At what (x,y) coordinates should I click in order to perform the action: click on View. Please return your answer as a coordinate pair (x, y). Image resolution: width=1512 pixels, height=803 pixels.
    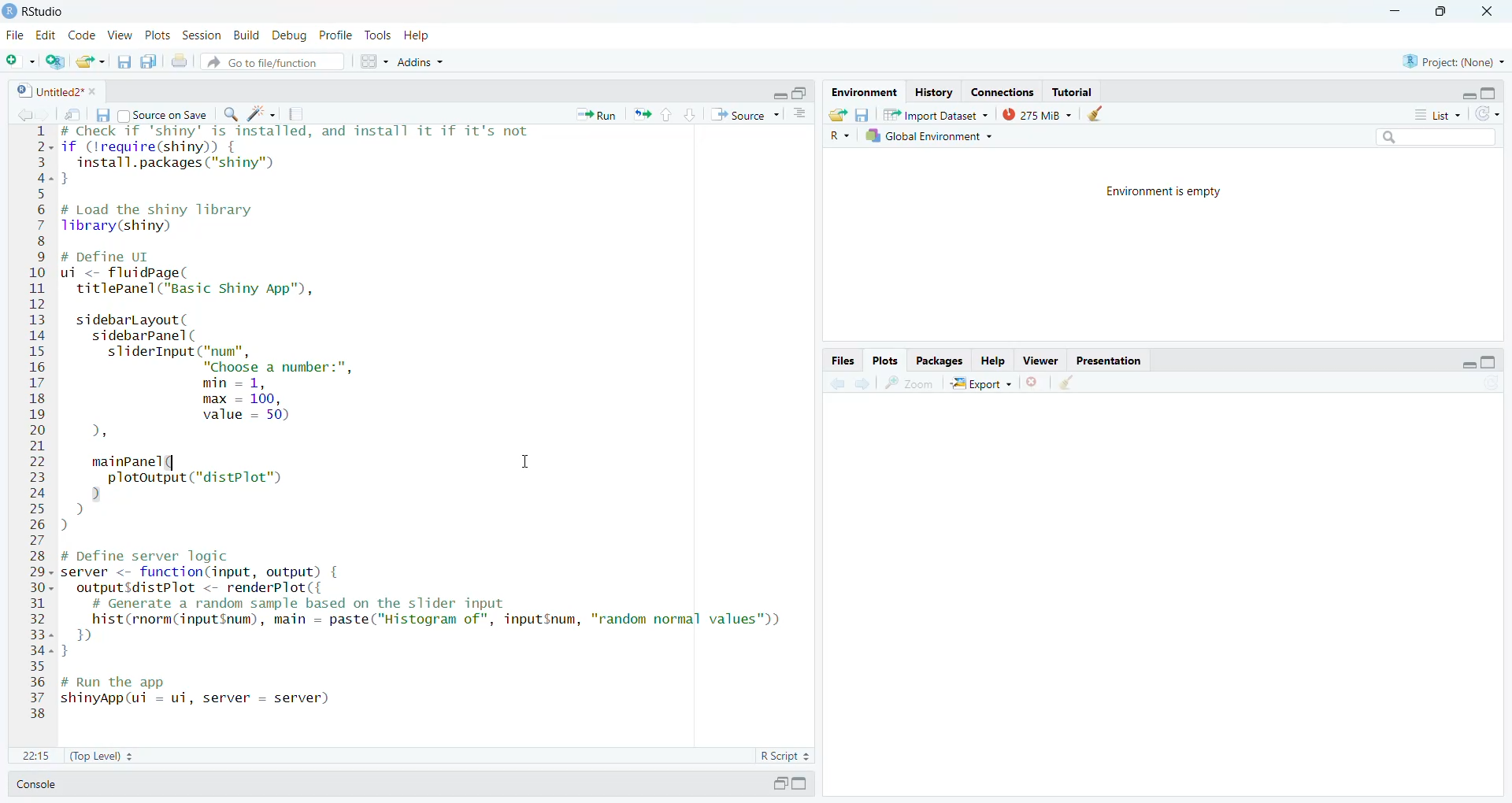
    Looking at the image, I should click on (120, 35).